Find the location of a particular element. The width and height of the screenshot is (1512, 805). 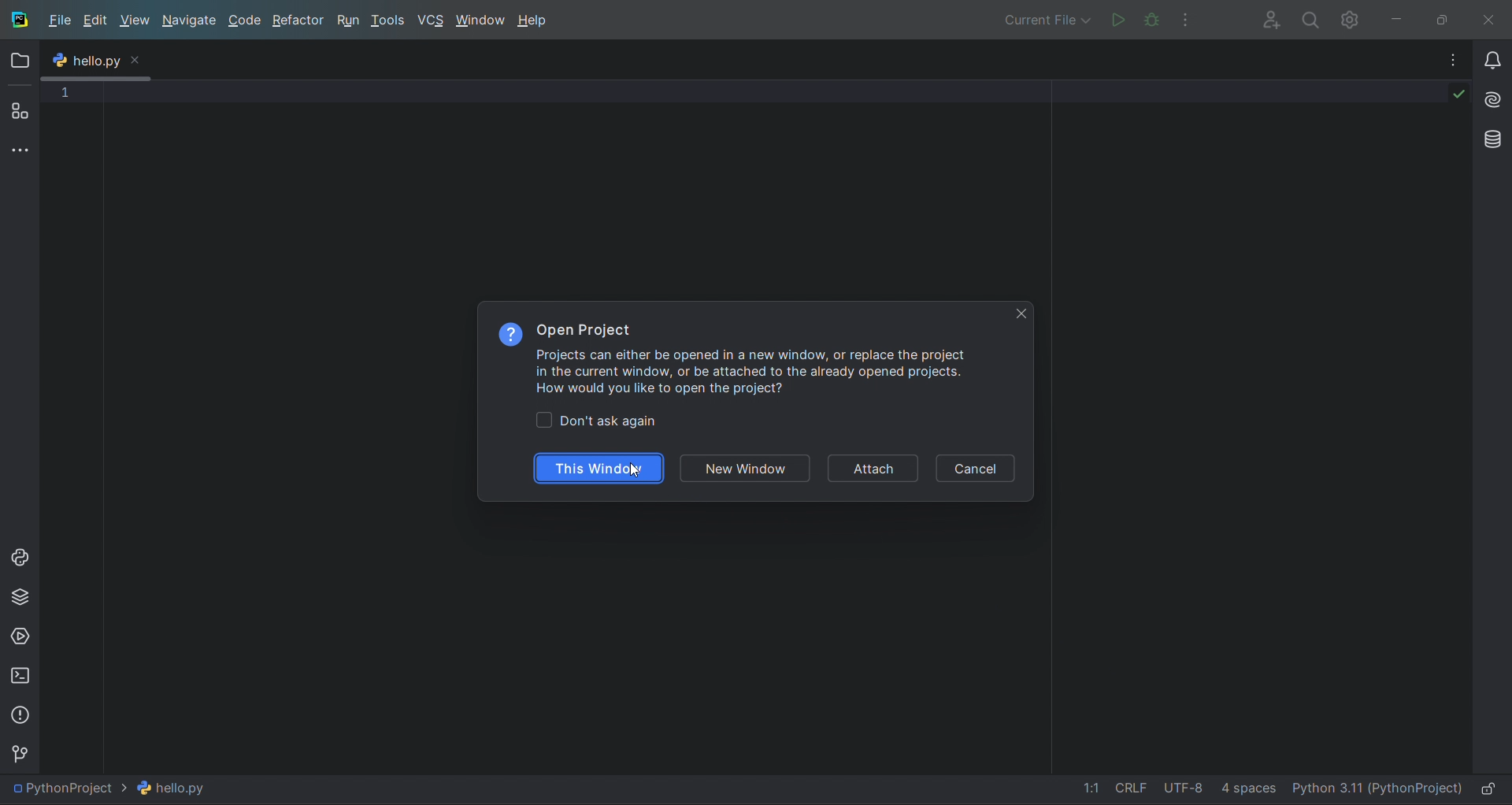

run is located at coordinates (1114, 18).